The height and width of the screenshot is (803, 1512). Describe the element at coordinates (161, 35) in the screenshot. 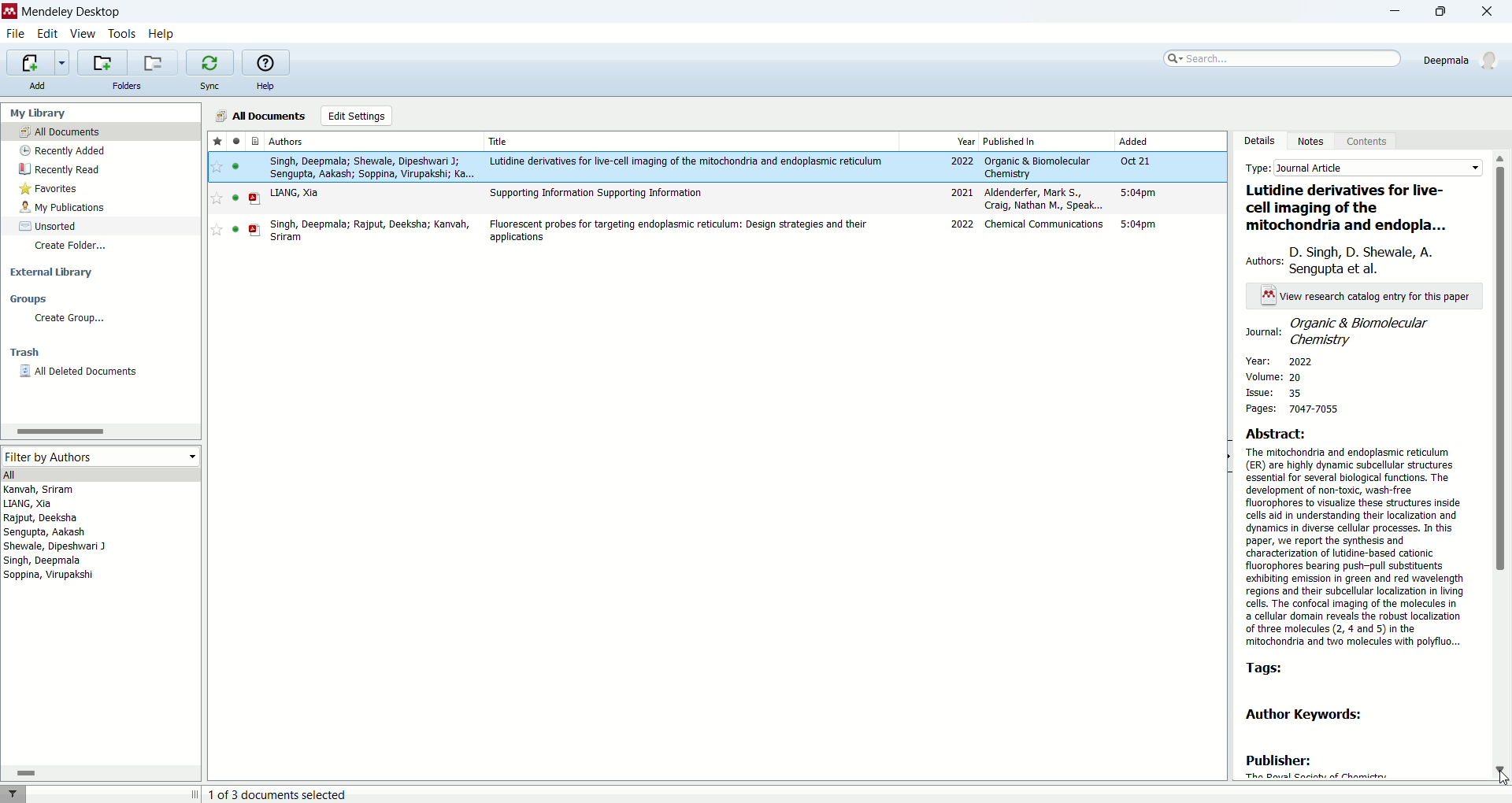

I see `help` at that location.